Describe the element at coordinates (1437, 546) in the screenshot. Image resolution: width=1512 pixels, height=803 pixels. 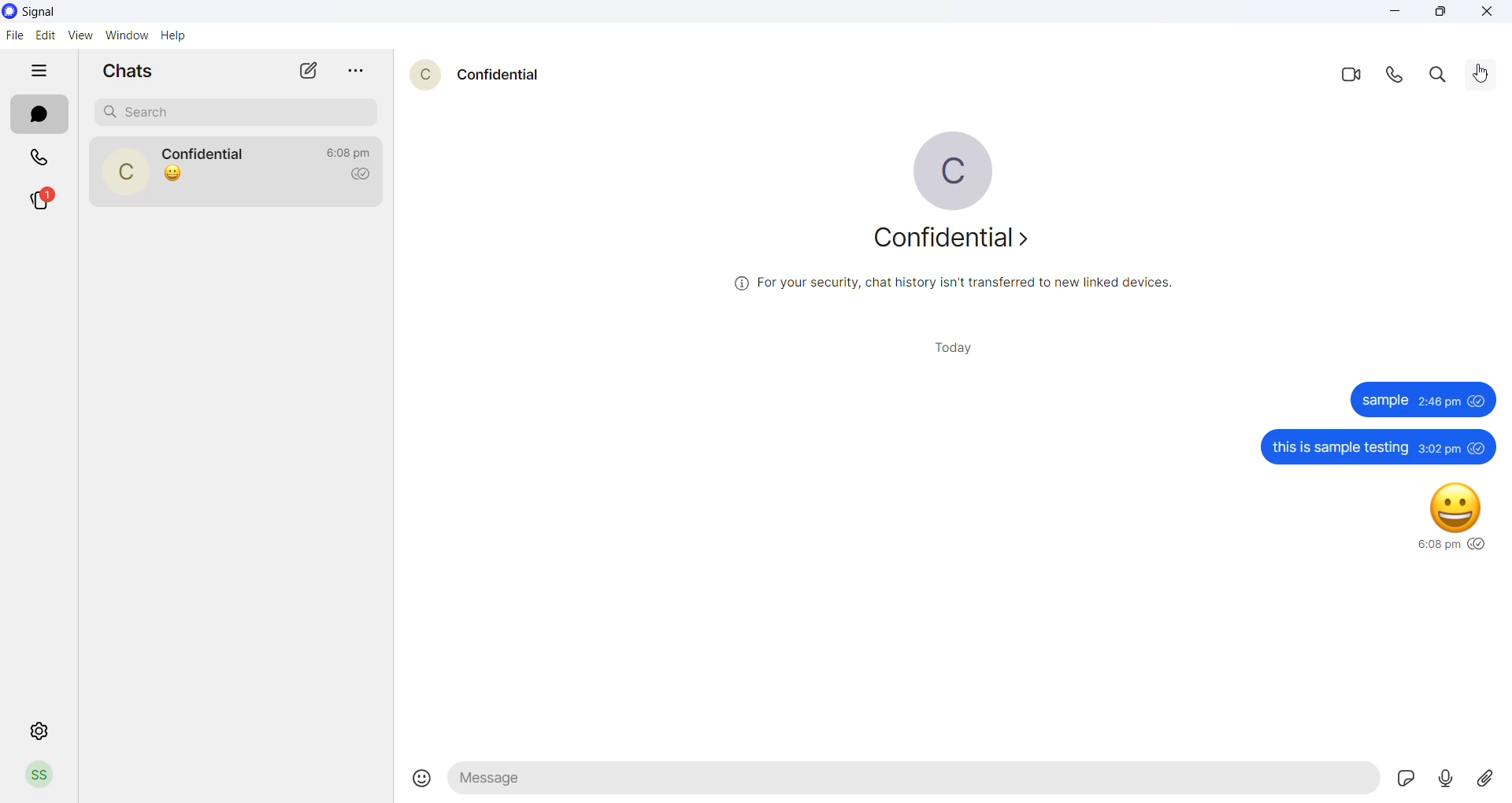
I see `6:08 pm` at that location.